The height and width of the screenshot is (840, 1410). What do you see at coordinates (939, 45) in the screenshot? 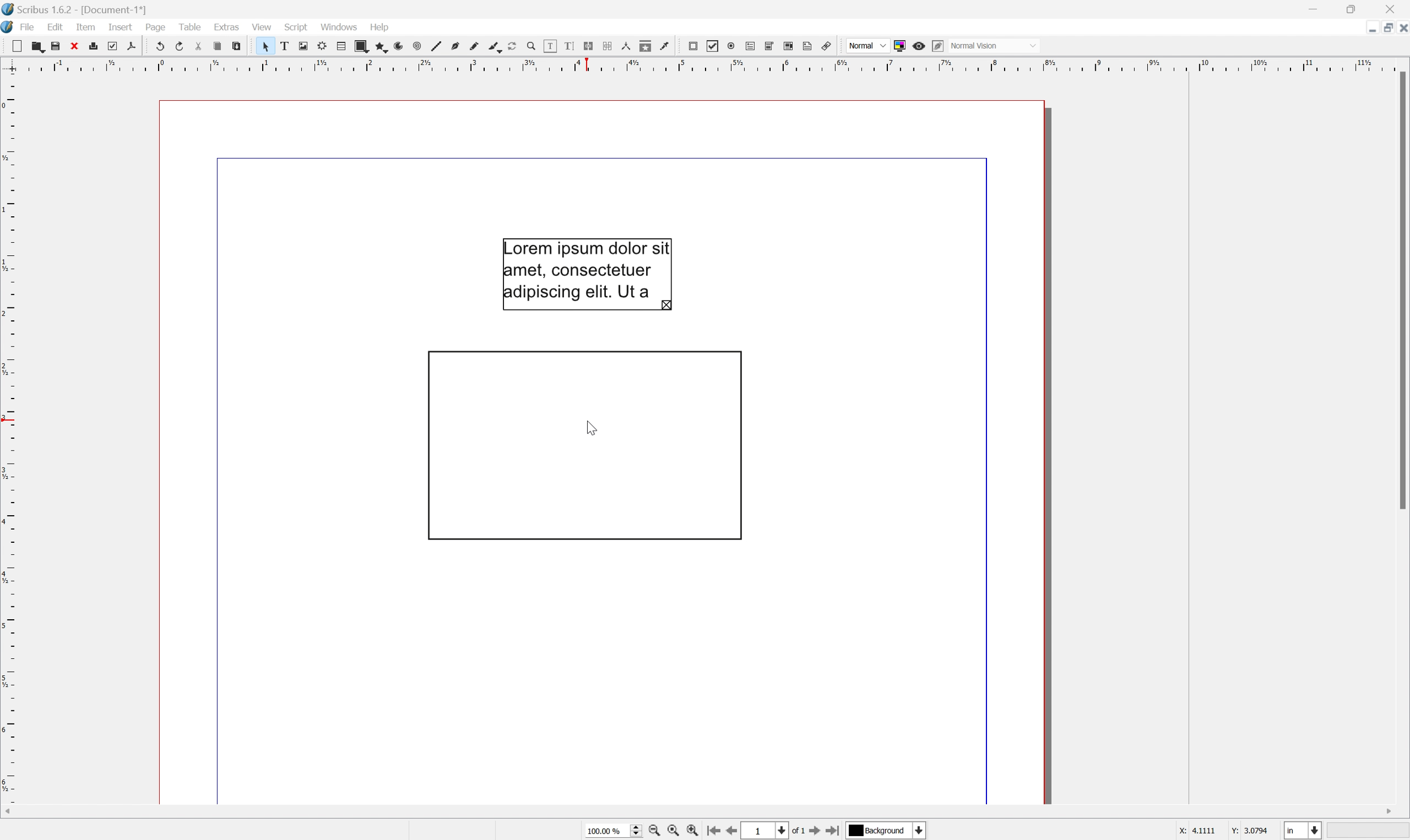
I see `Edit in preview mode` at bounding box center [939, 45].